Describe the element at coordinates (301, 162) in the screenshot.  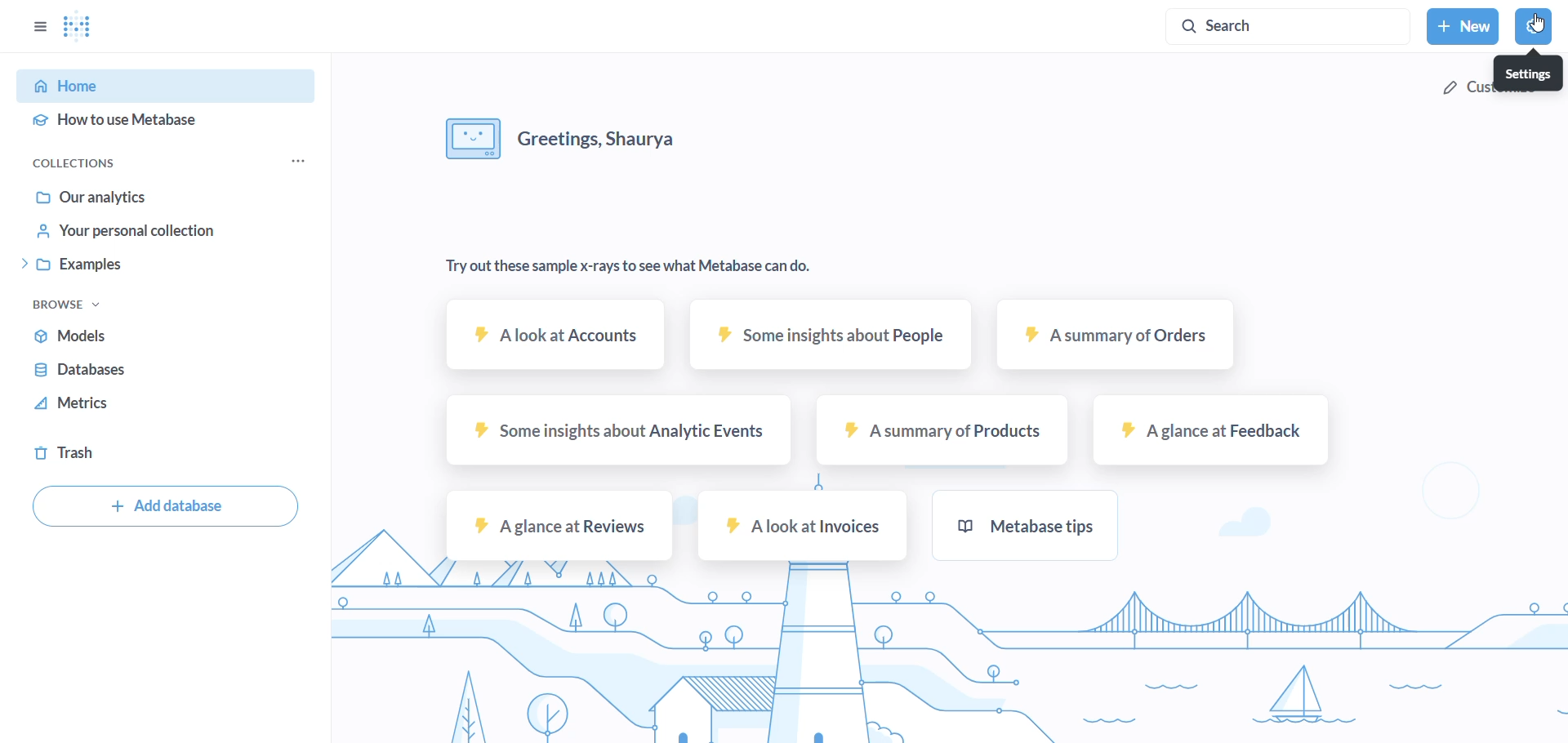
I see `collections options` at that location.